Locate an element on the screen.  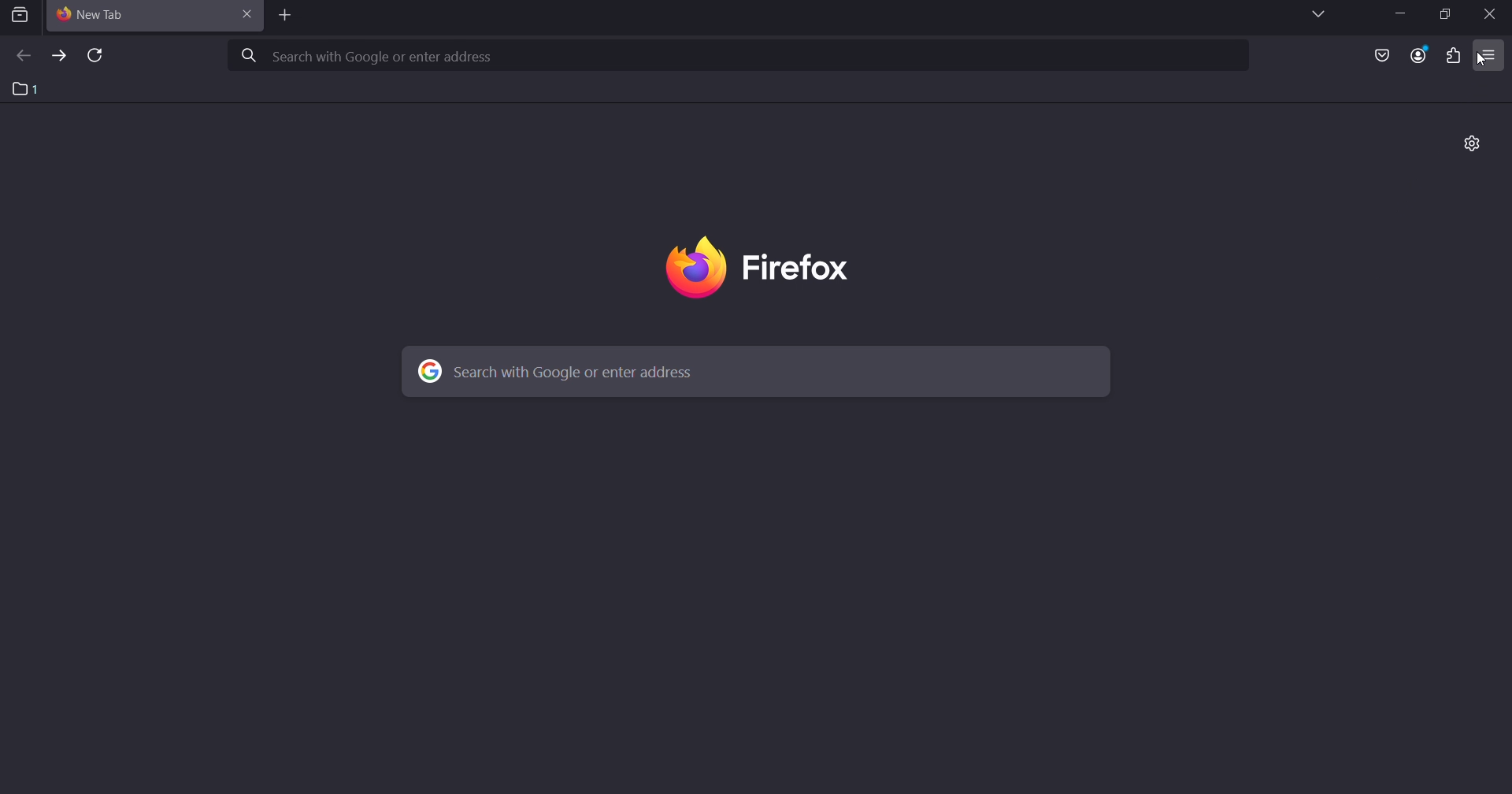
1 is located at coordinates (25, 90).